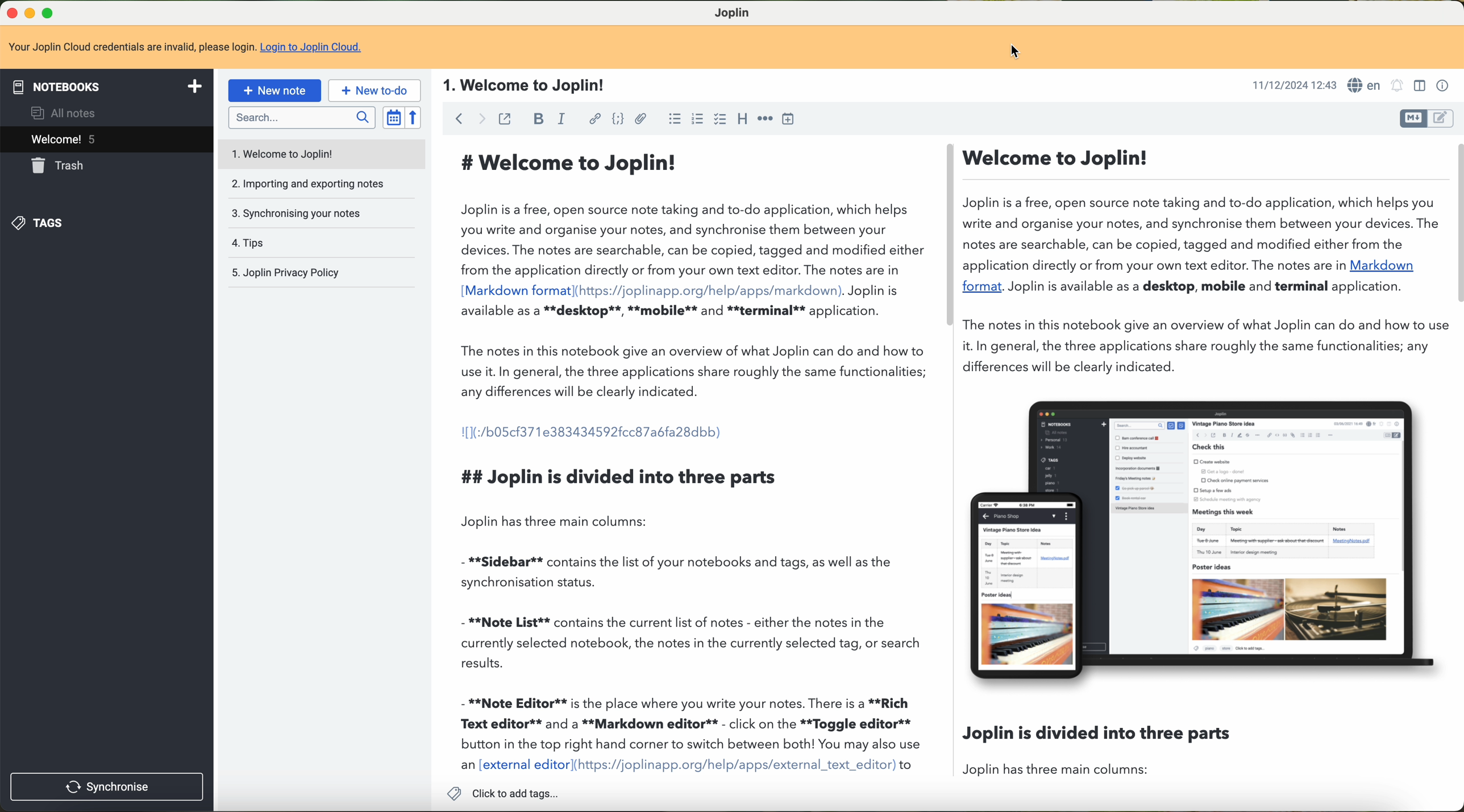  Describe the element at coordinates (55, 165) in the screenshot. I see `trash` at that location.